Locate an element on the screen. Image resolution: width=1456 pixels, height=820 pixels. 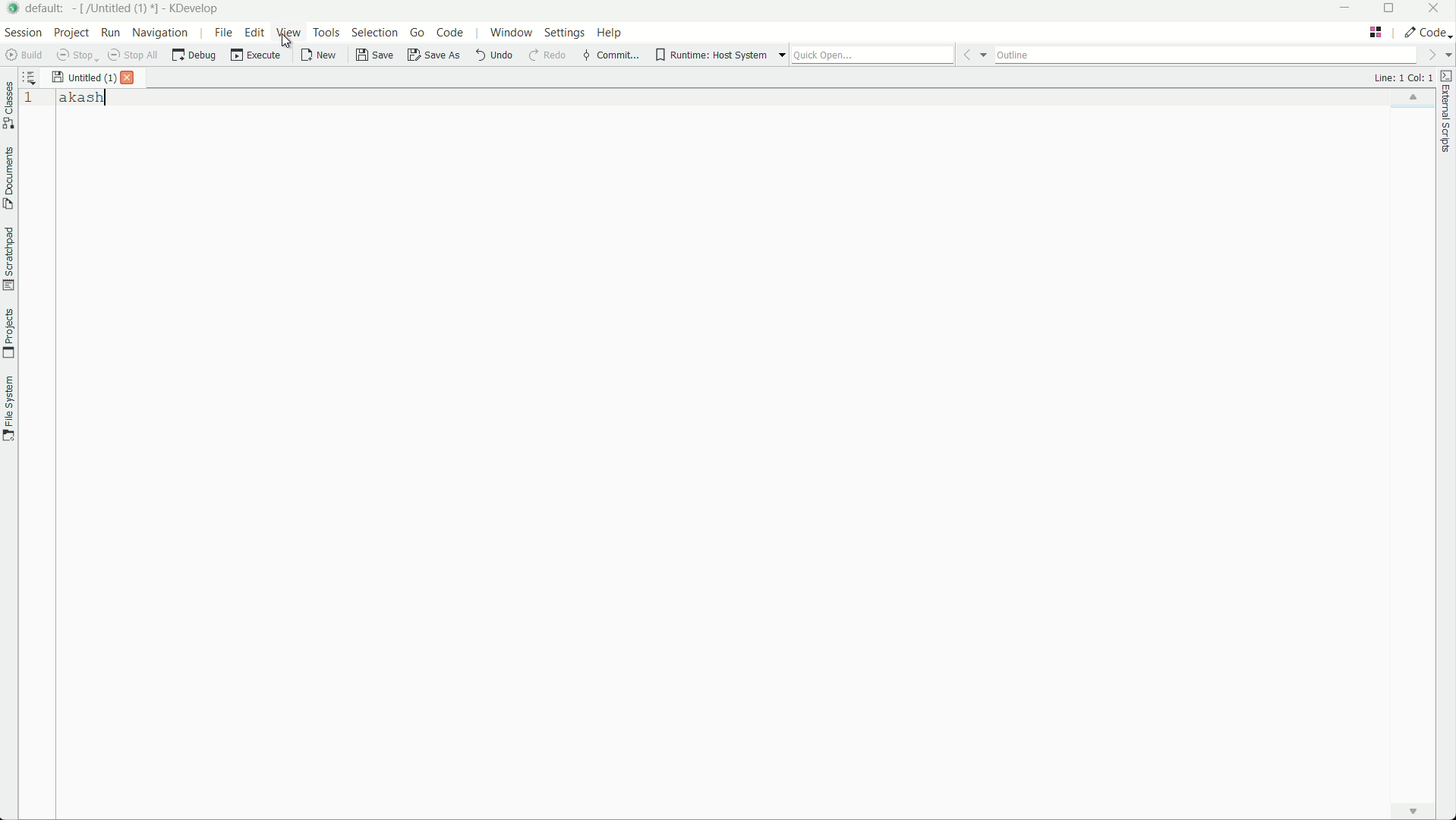
project is located at coordinates (74, 33).